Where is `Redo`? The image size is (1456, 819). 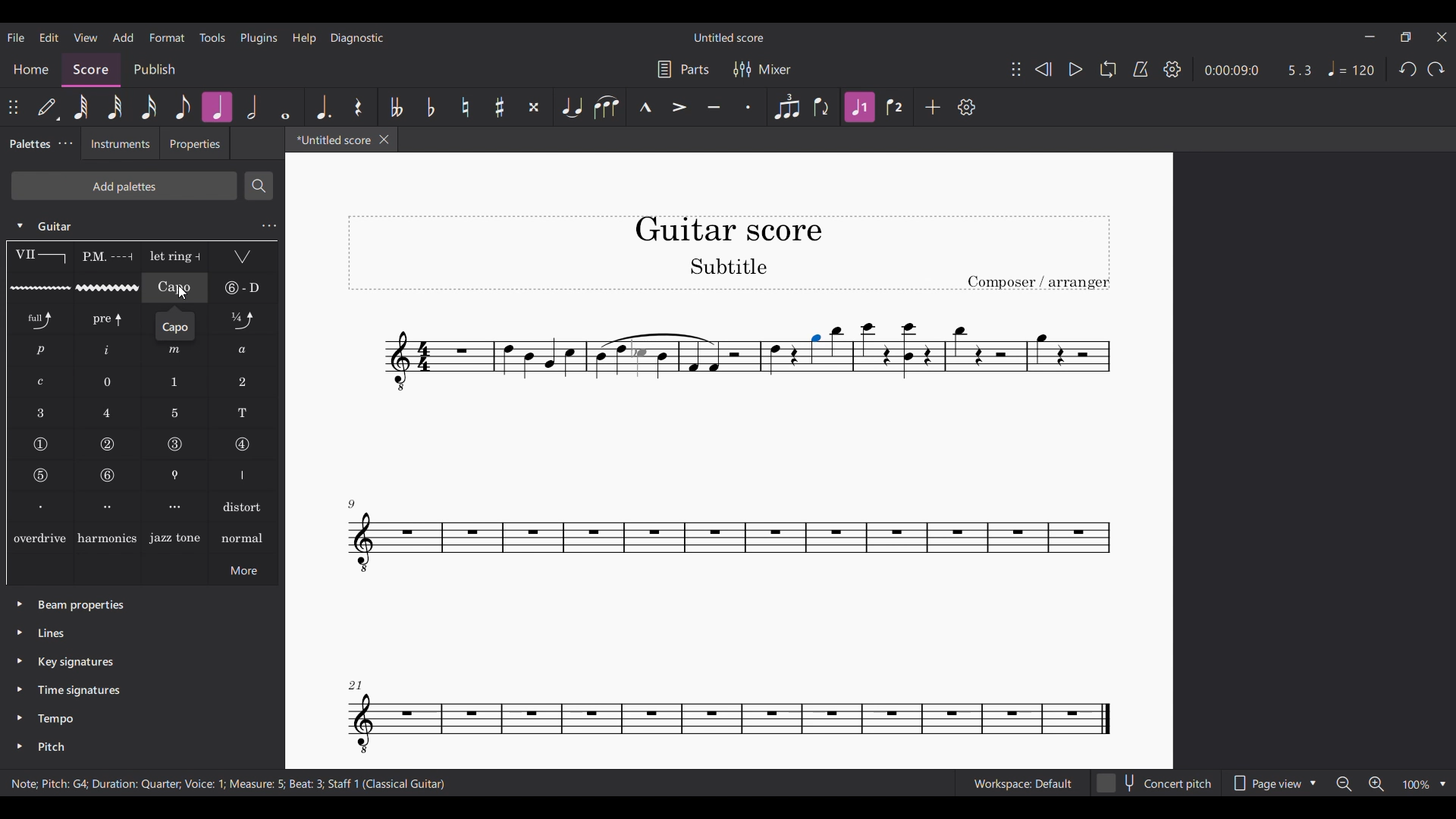
Redo is located at coordinates (1436, 69).